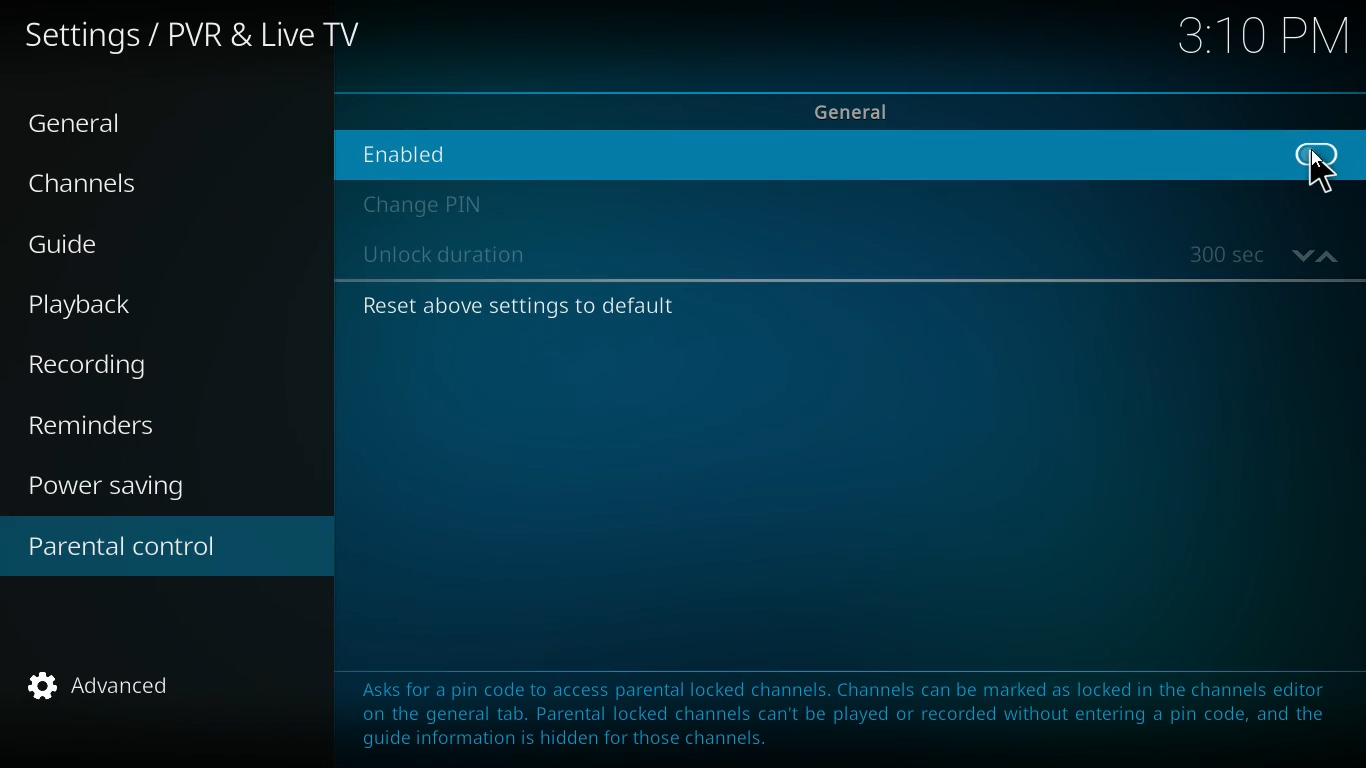 This screenshot has width=1366, height=768. What do you see at coordinates (464, 149) in the screenshot?
I see `enabled` at bounding box center [464, 149].